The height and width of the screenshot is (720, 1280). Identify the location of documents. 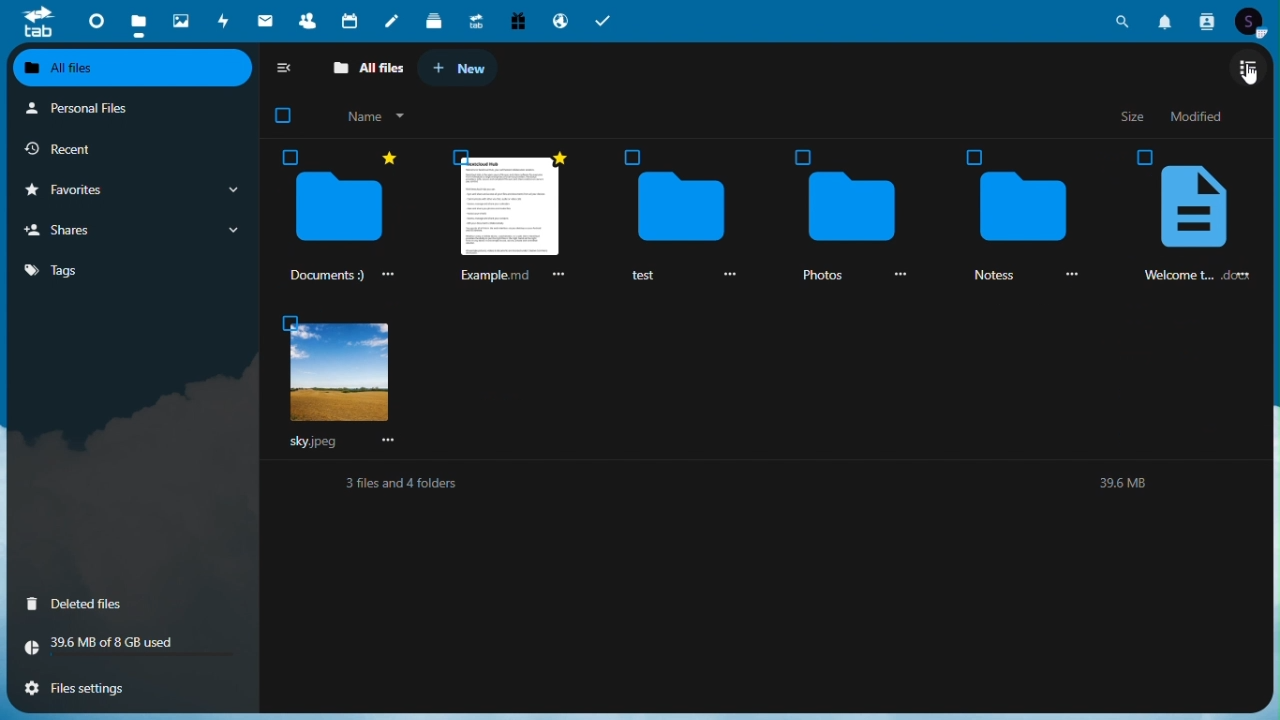
(322, 276).